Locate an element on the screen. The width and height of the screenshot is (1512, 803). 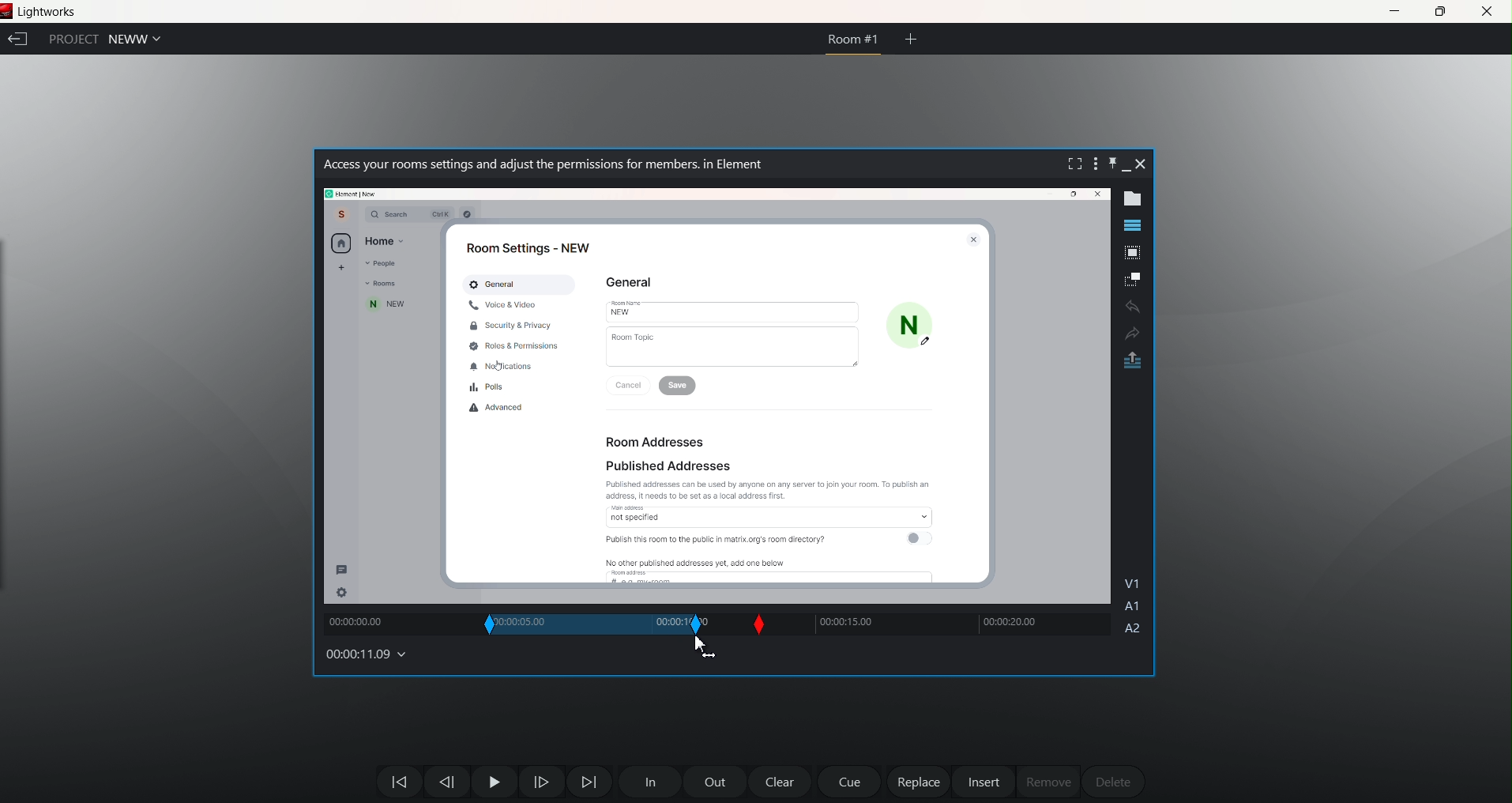
Published Addresses is located at coordinates (666, 465).